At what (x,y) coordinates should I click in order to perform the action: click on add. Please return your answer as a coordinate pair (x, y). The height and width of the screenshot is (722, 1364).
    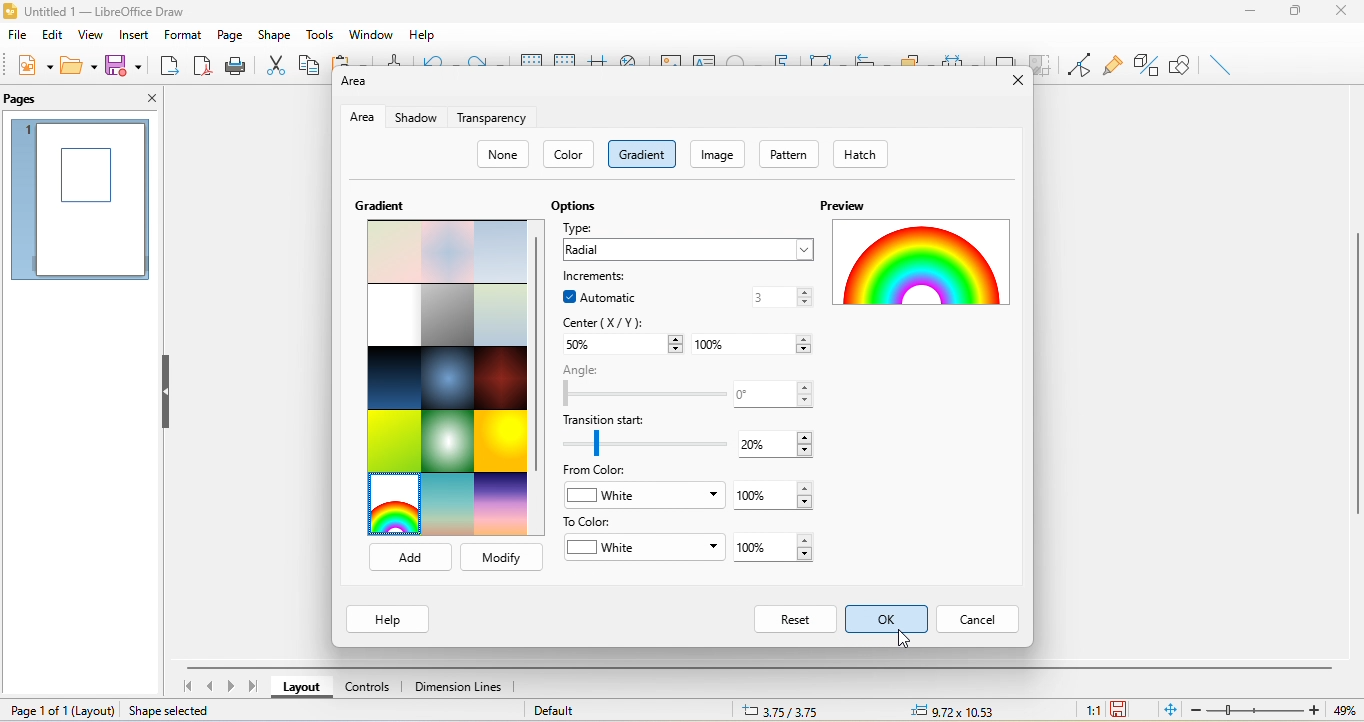
    Looking at the image, I should click on (410, 558).